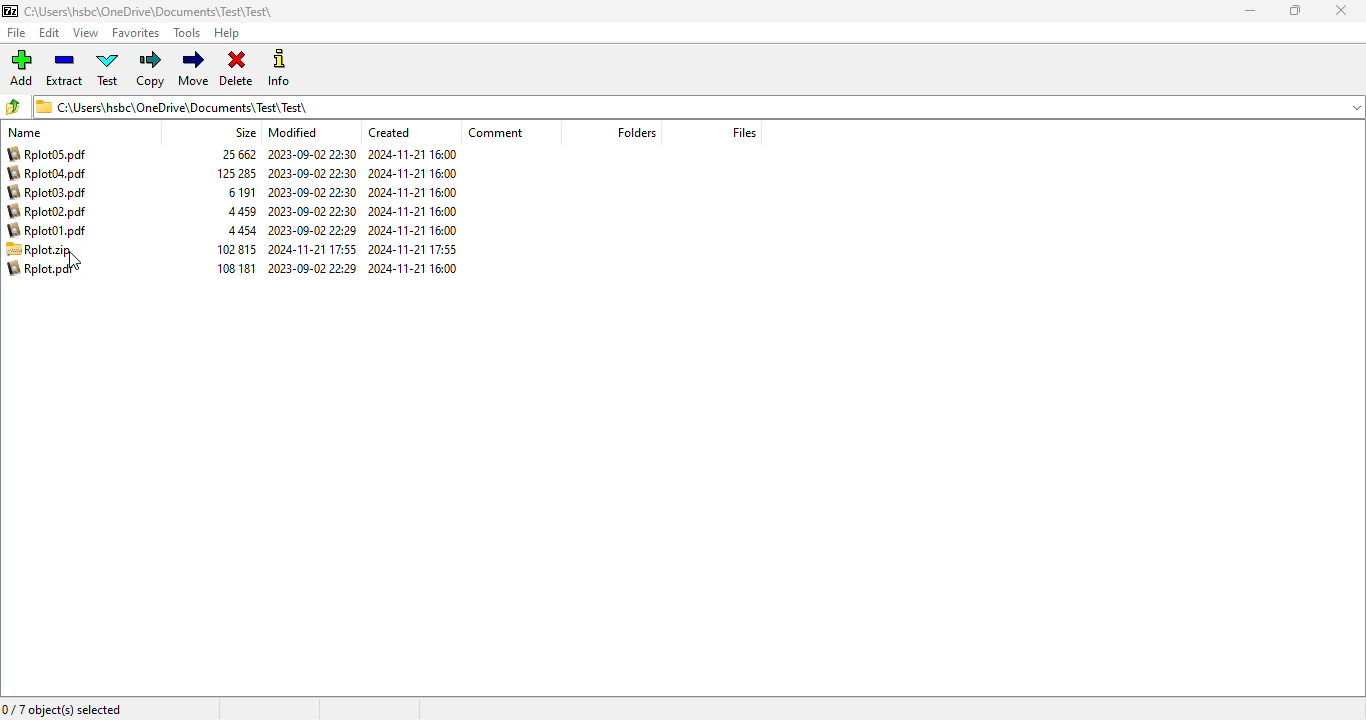  I want to click on browse folders, so click(14, 106).